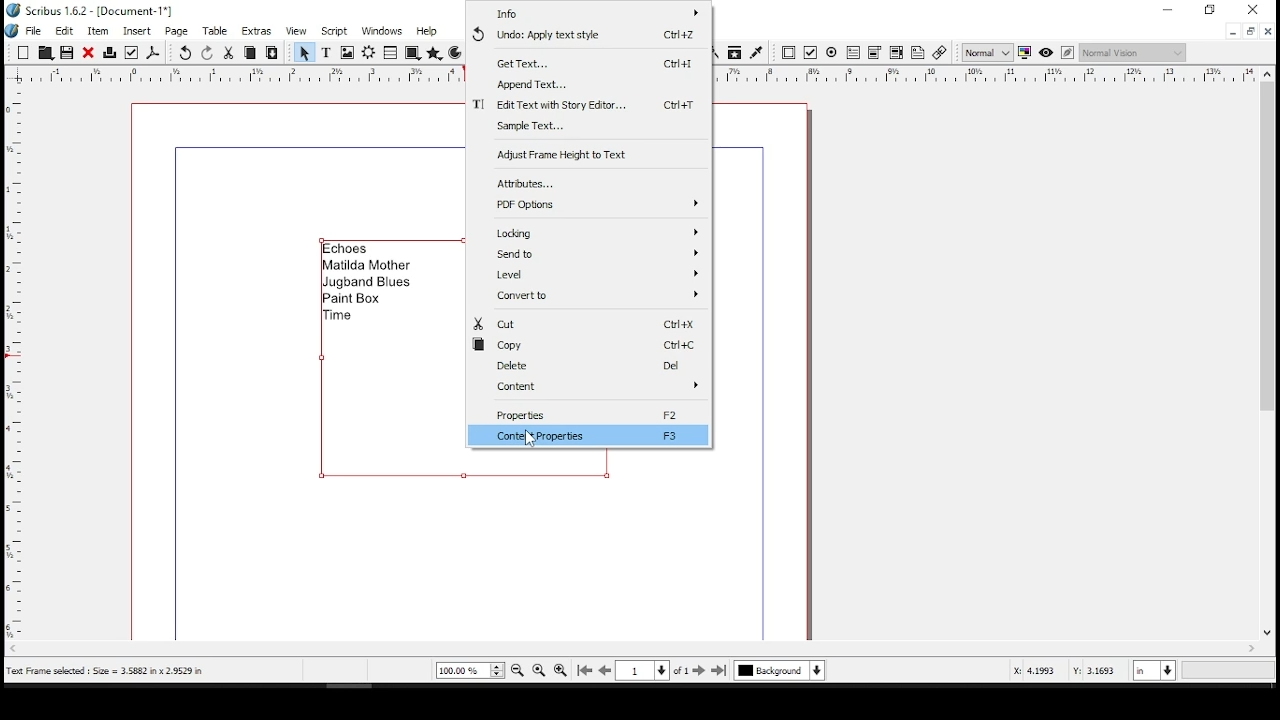 The image size is (1280, 720). I want to click on properties, so click(592, 414).